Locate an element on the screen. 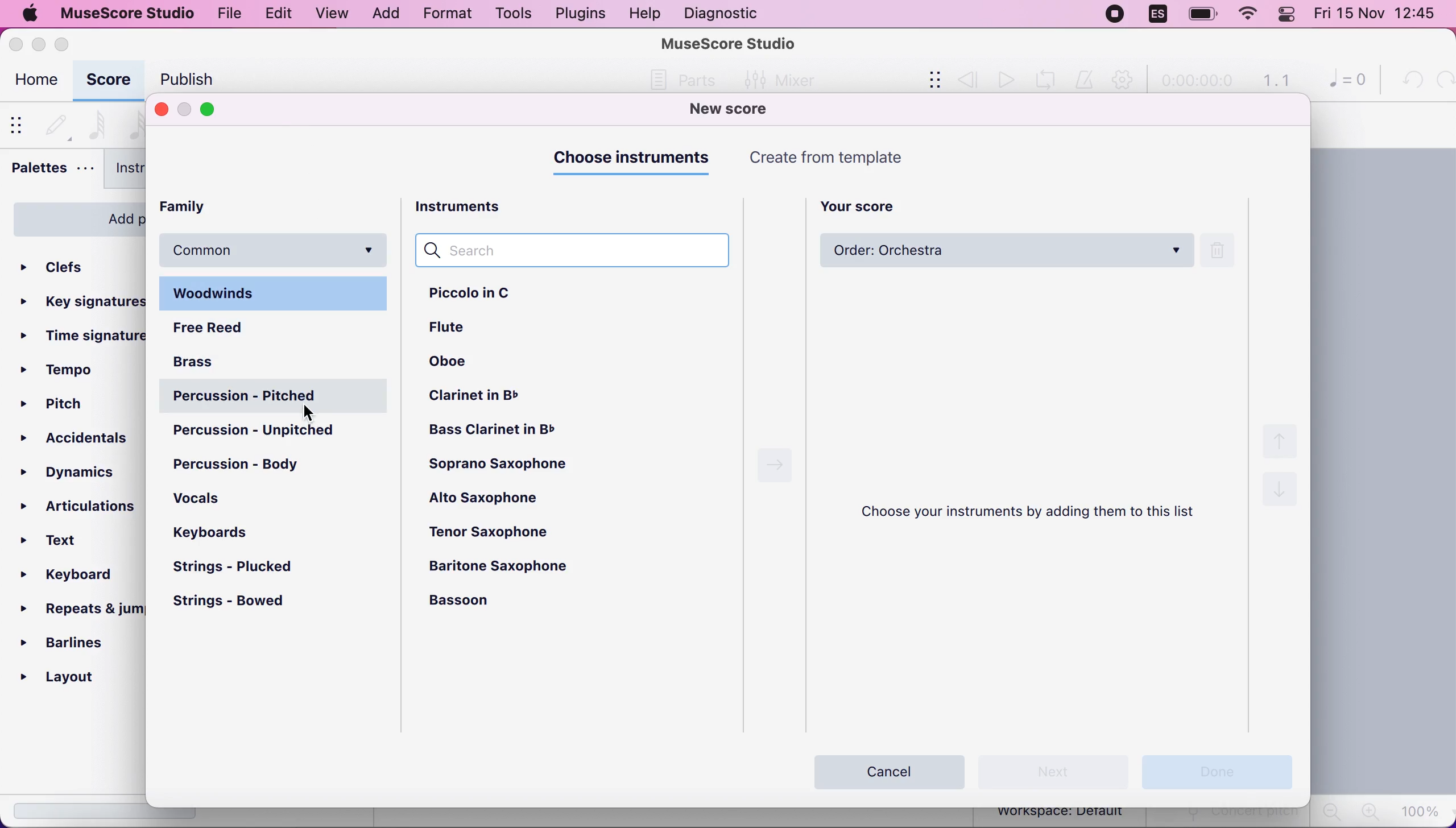 The height and width of the screenshot is (828, 1456). instruments is located at coordinates (473, 205).